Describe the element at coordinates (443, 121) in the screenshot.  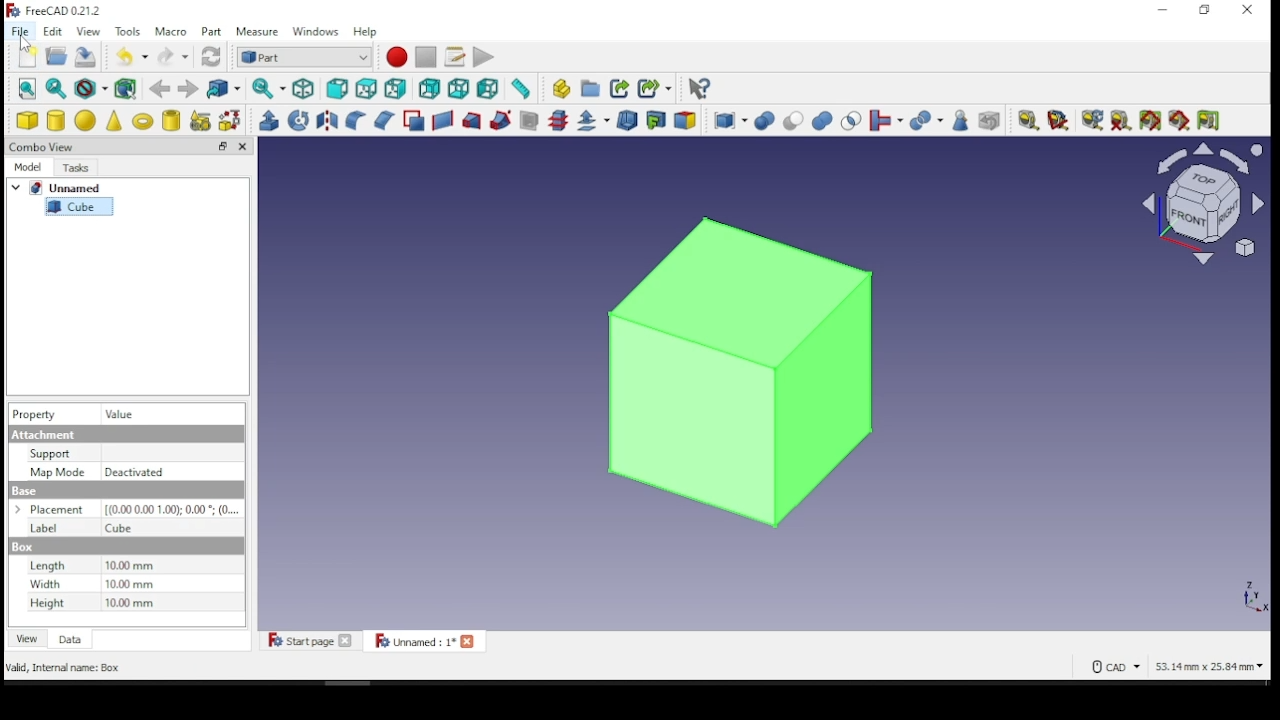
I see `create ruled surface` at that location.